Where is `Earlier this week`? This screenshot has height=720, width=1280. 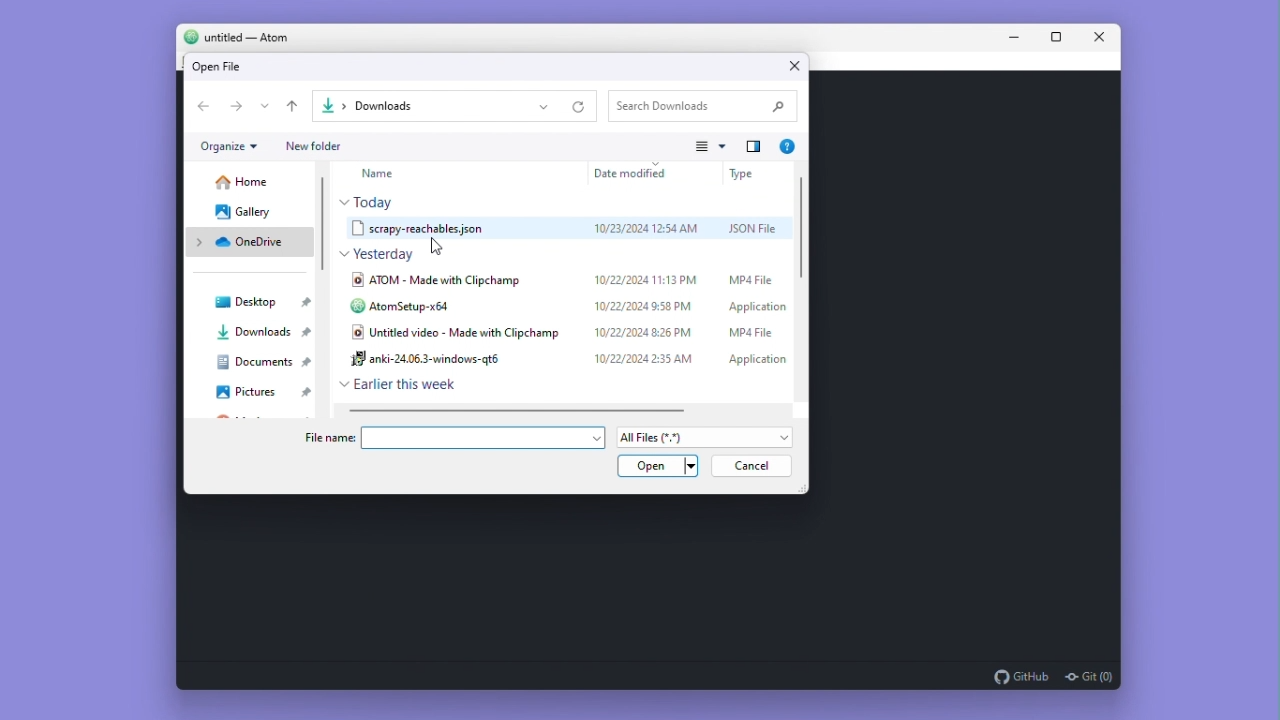
Earlier this week is located at coordinates (398, 384).